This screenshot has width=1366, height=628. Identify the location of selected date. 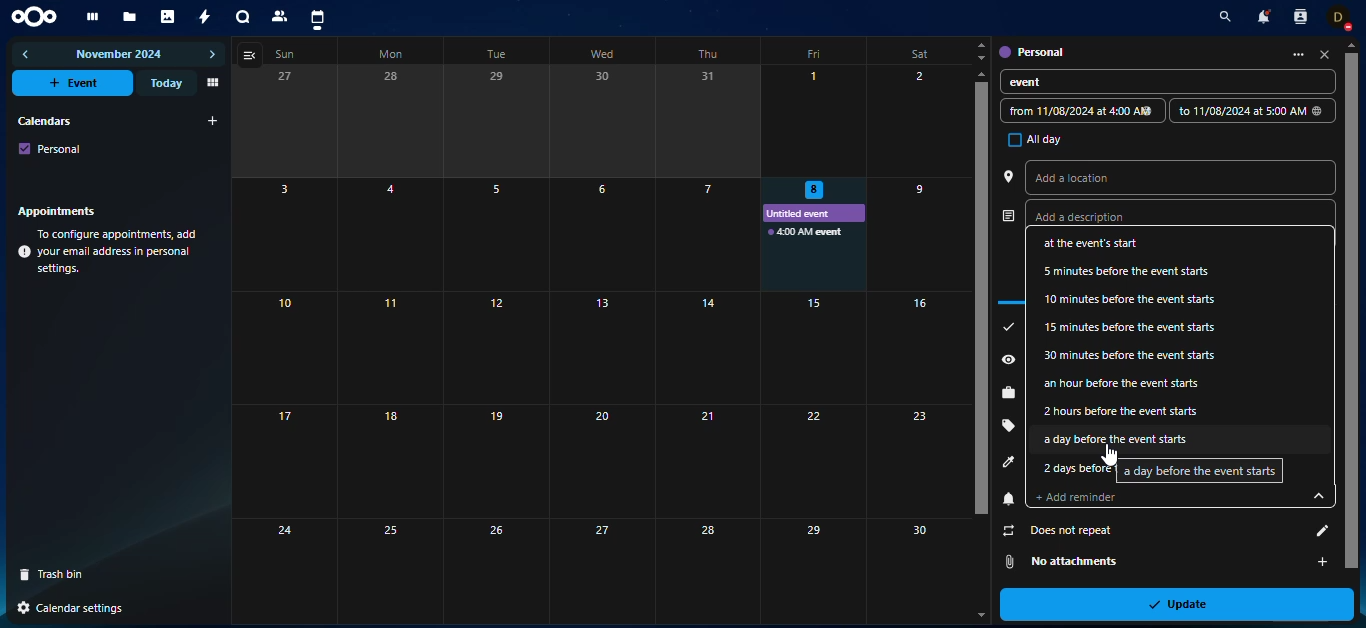
(813, 191).